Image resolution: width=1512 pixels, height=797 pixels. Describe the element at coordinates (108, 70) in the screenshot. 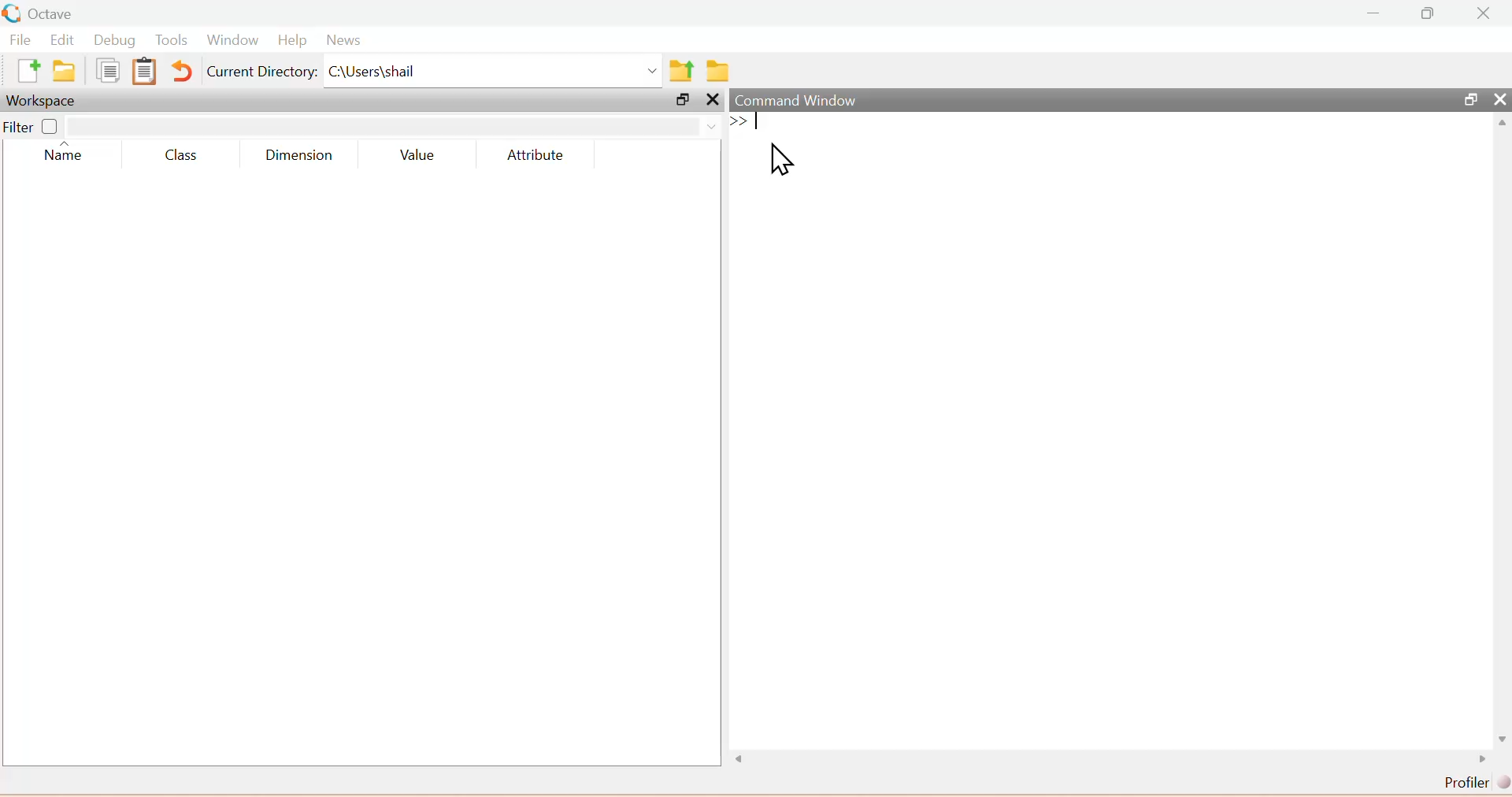

I see `copy` at that location.